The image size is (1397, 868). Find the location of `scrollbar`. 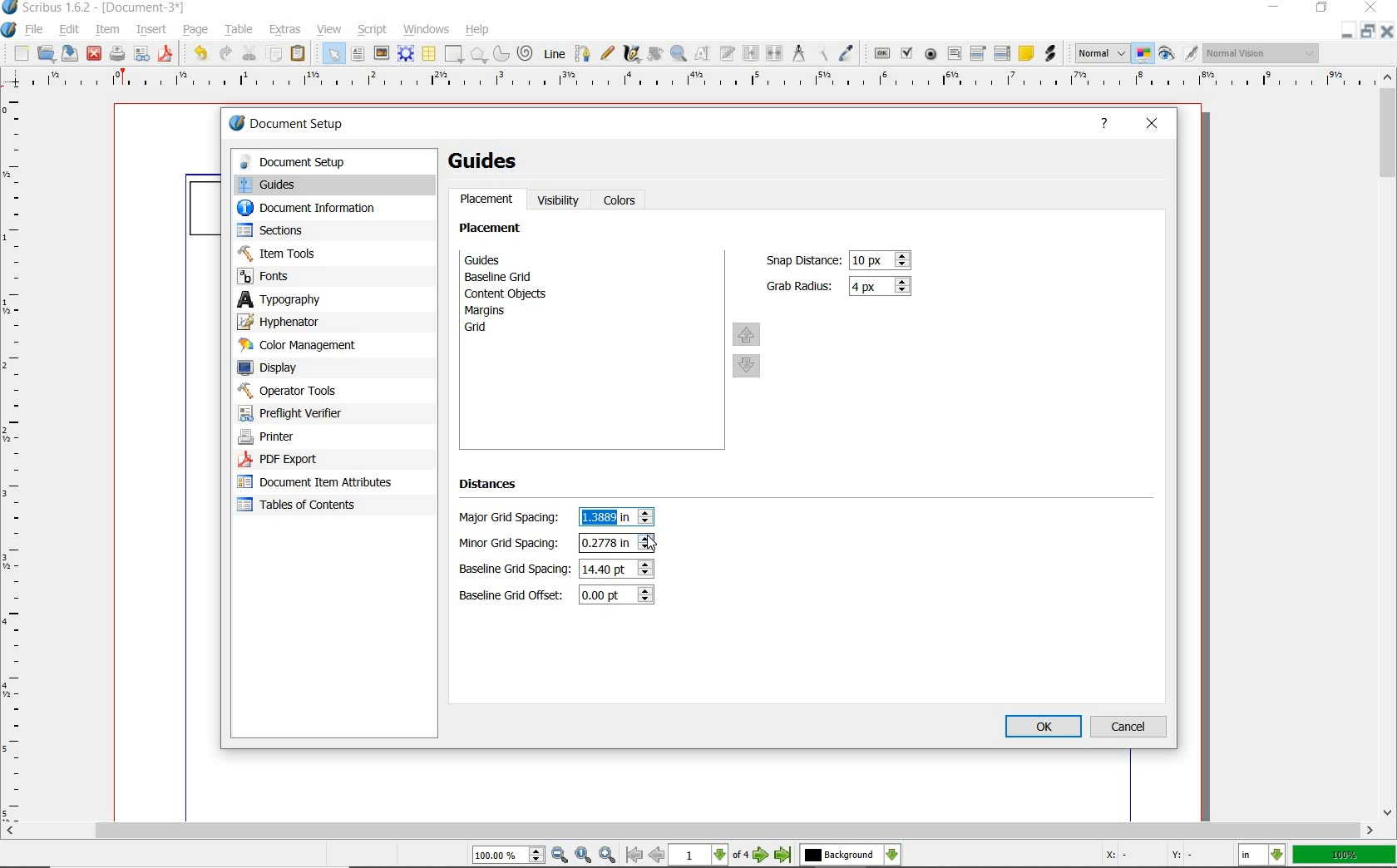

scrollbar is located at coordinates (1389, 444).